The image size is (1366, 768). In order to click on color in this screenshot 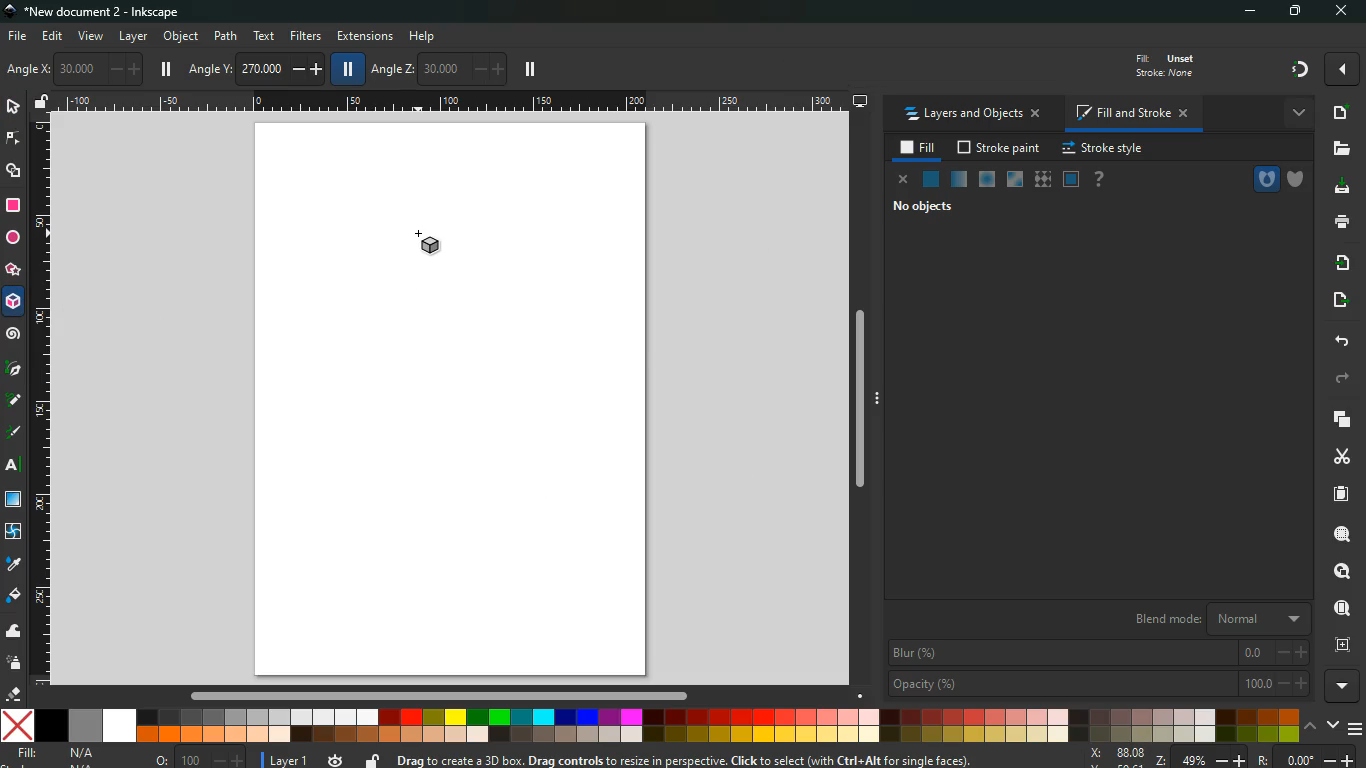, I will do `click(651, 725)`.